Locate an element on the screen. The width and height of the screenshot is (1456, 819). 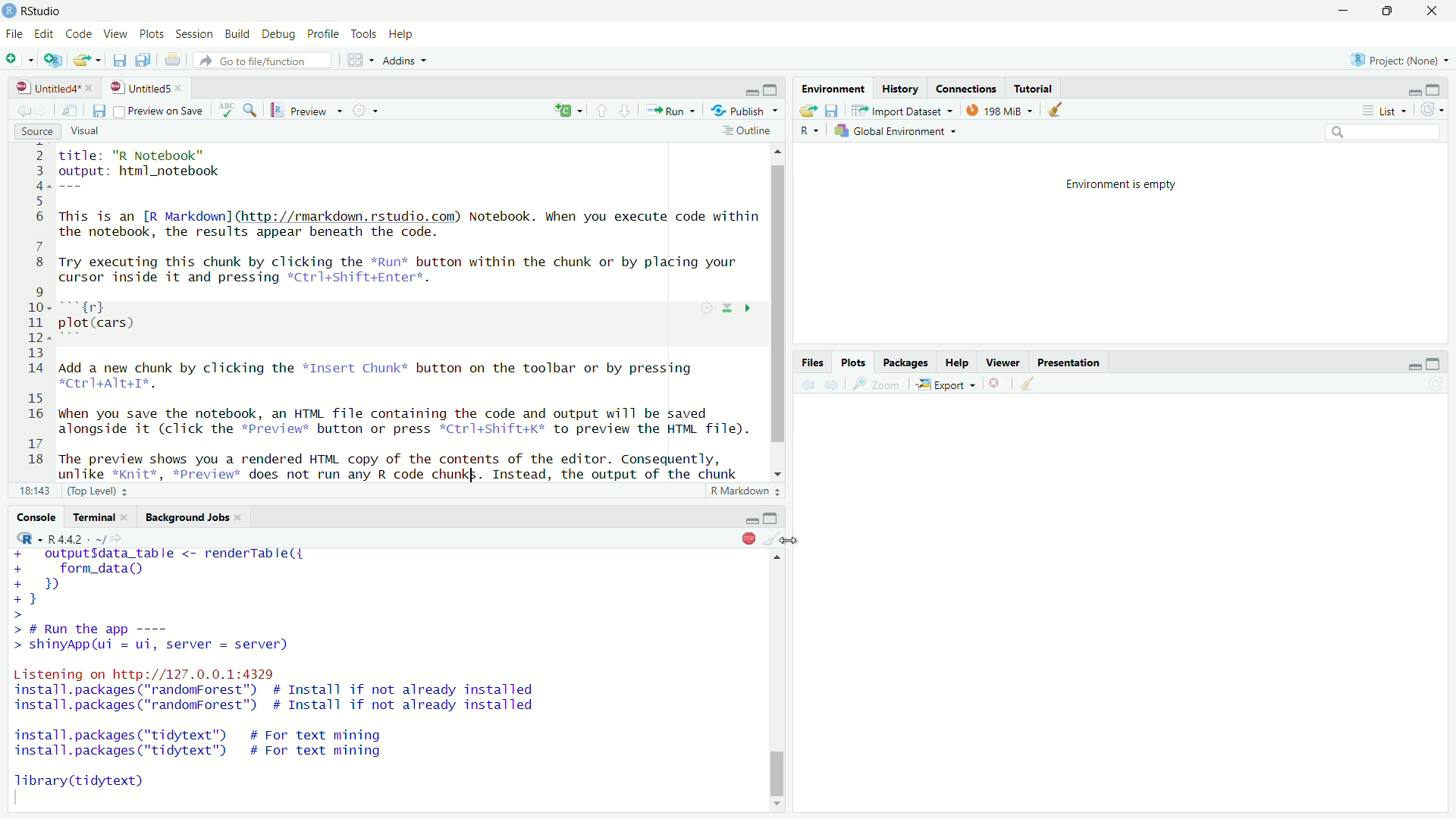
Session is located at coordinates (196, 35).